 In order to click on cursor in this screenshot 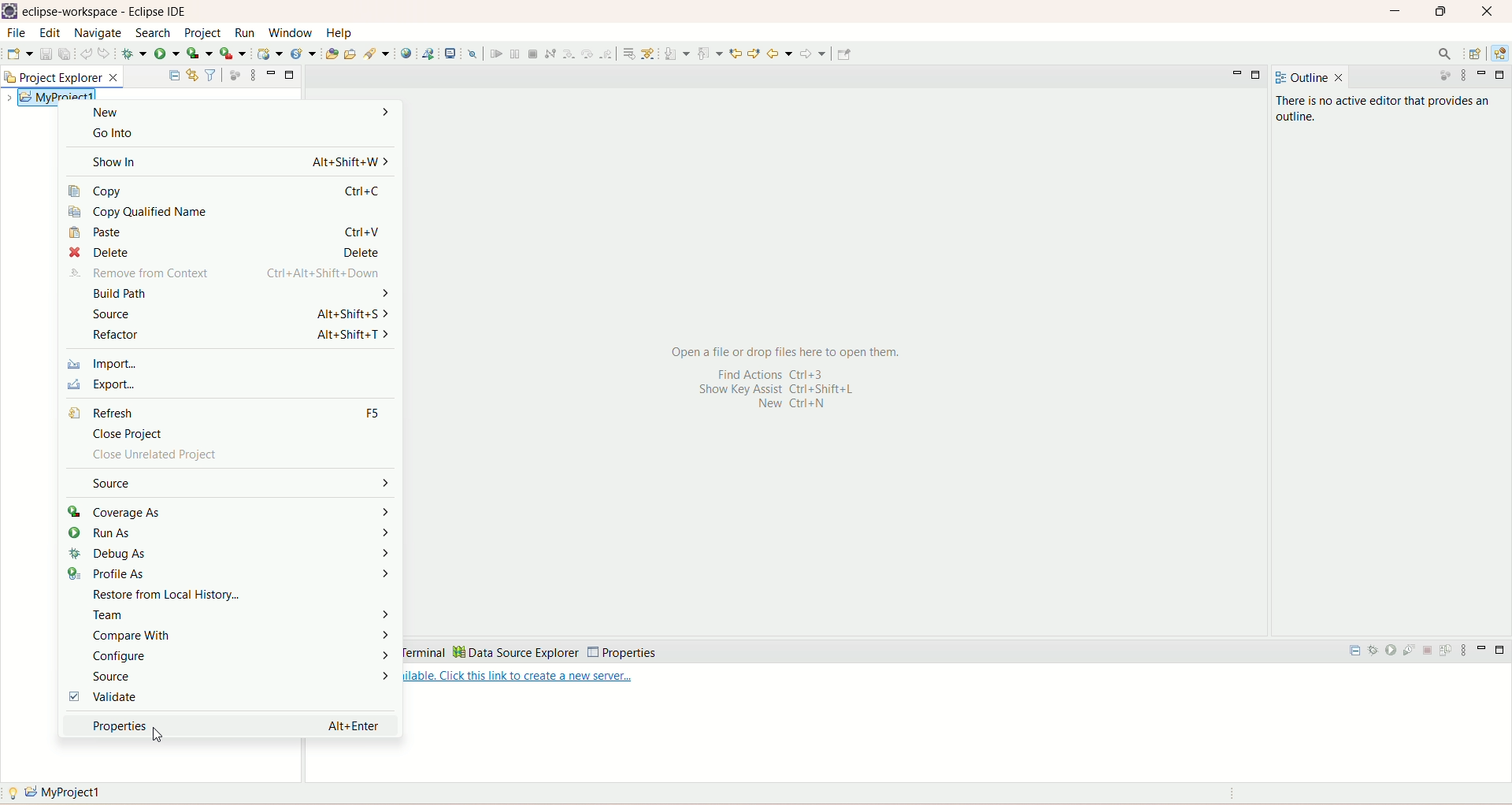, I will do `click(157, 736)`.